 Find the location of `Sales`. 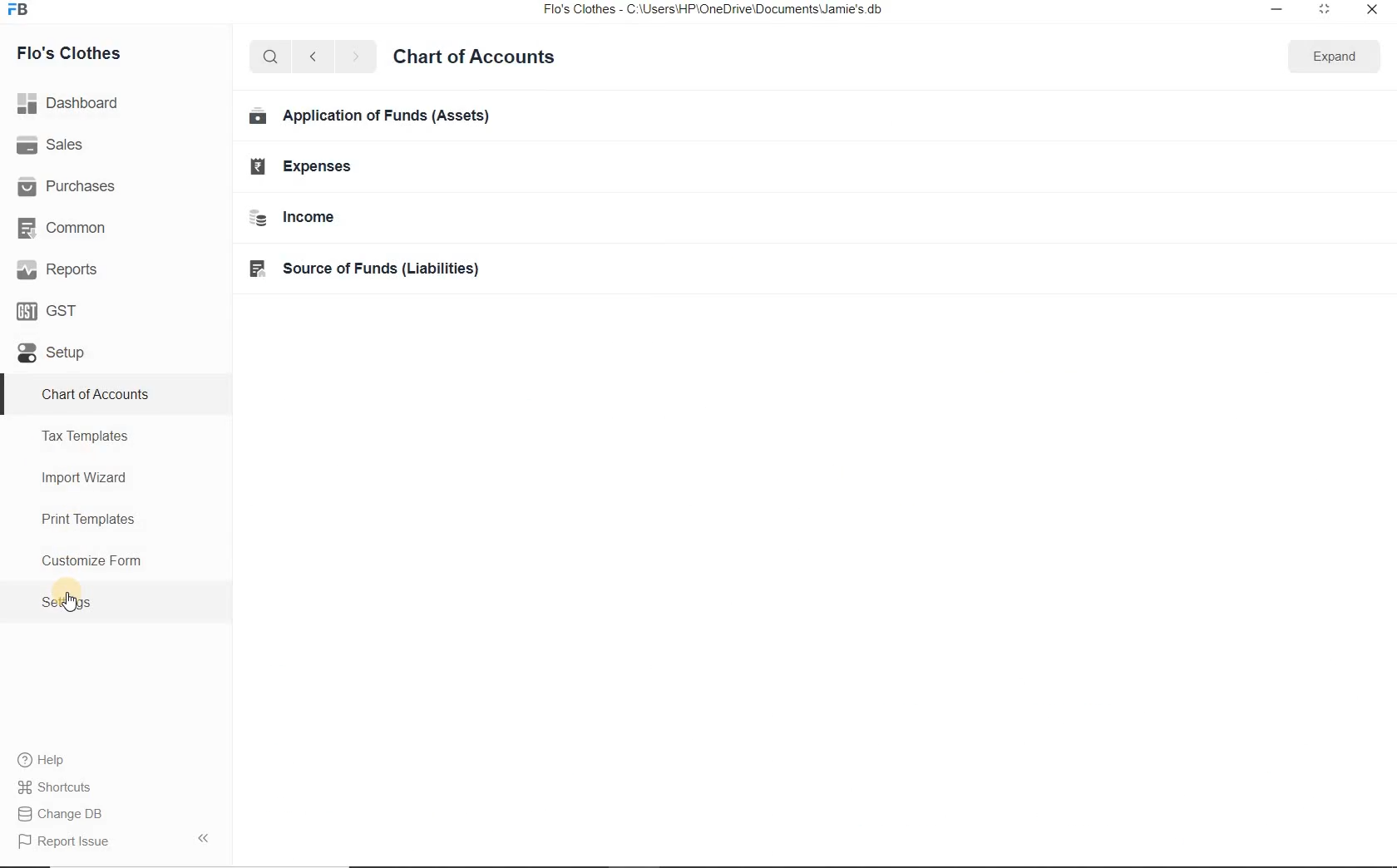

Sales is located at coordinates (50, 144).